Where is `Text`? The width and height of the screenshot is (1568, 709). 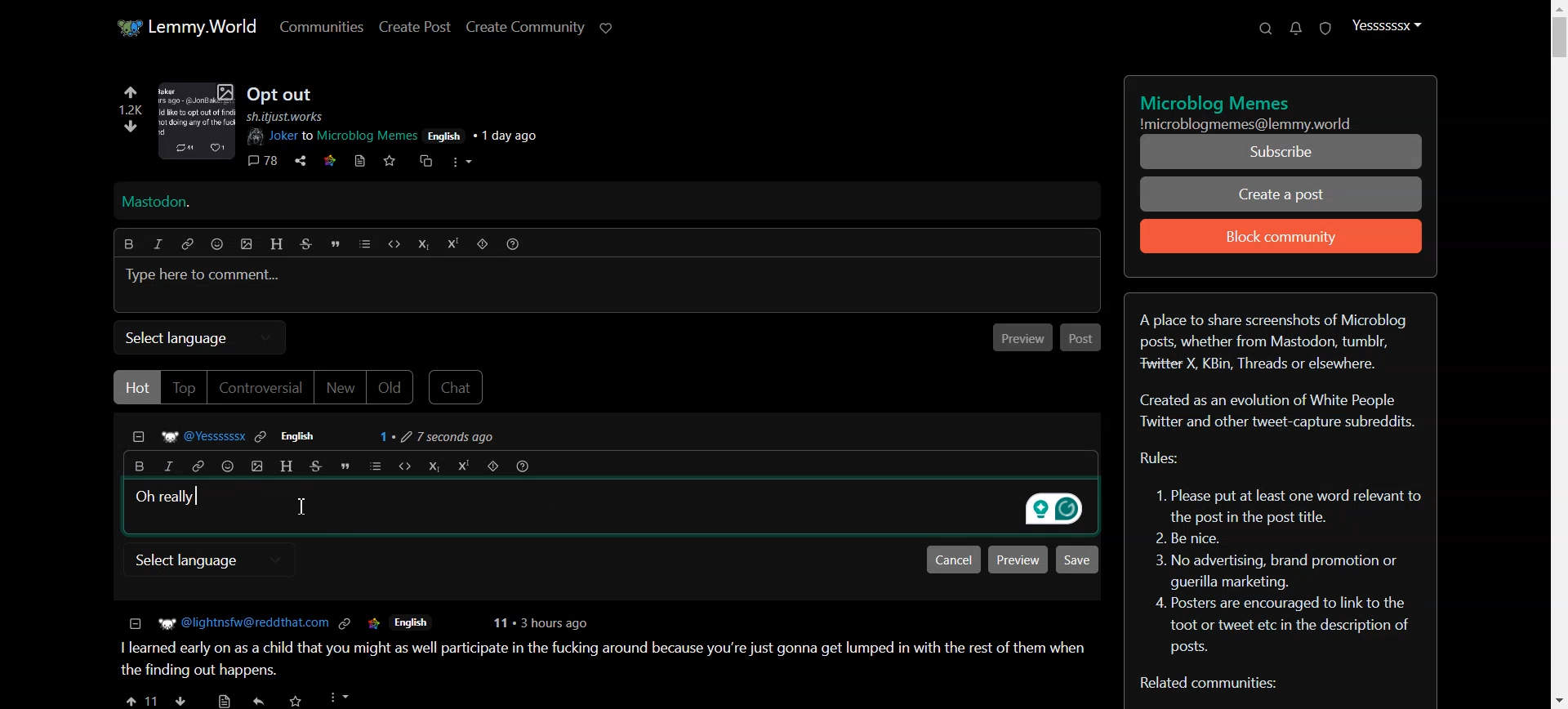 Text is located at coordinates (1282, 493).